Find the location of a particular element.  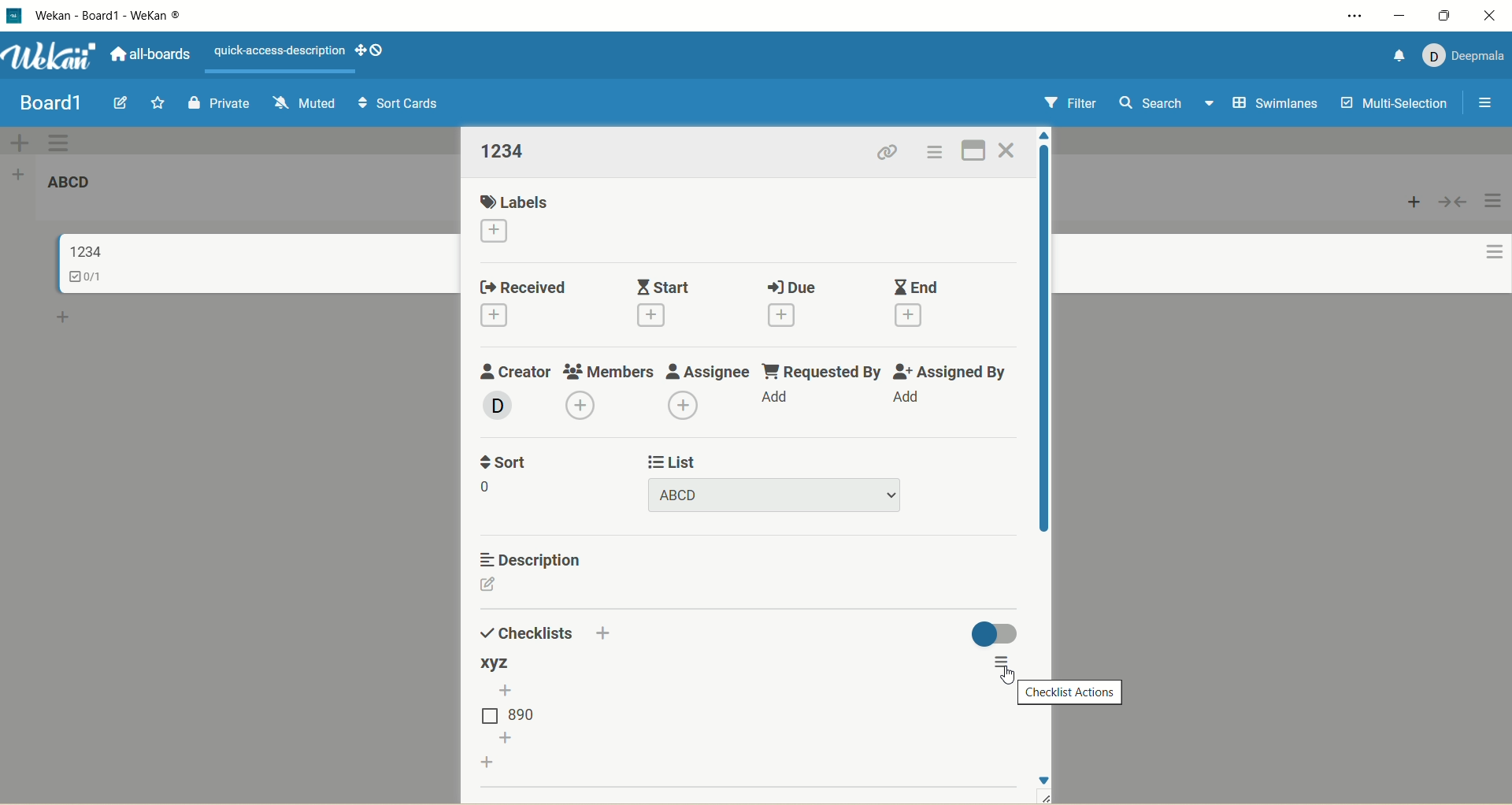

labels is located at coordinates (519, 199).